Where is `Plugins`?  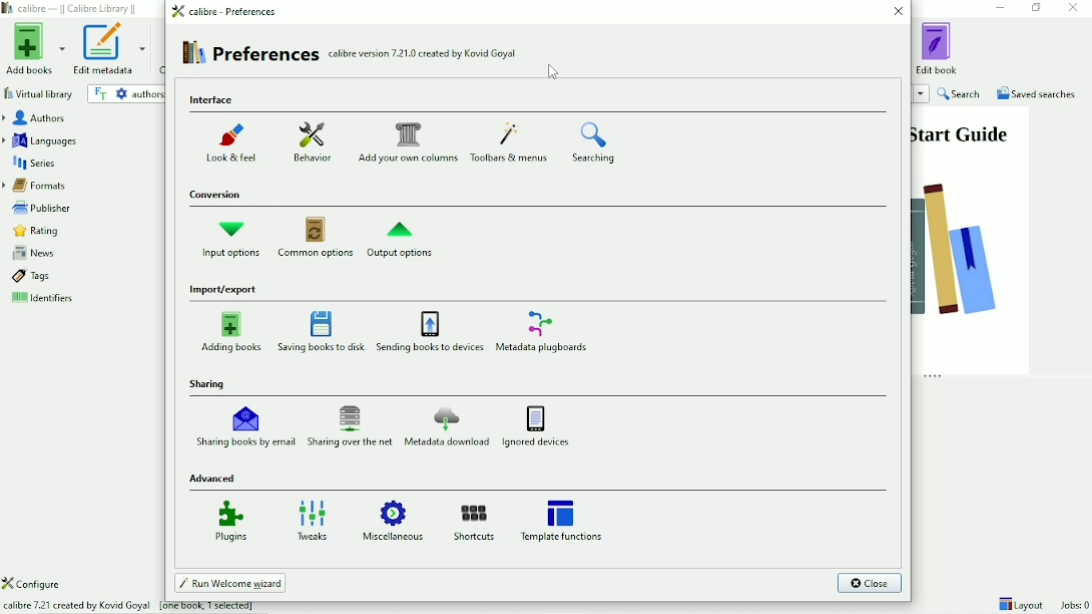
Plugins is located at coordinates (230, 520).